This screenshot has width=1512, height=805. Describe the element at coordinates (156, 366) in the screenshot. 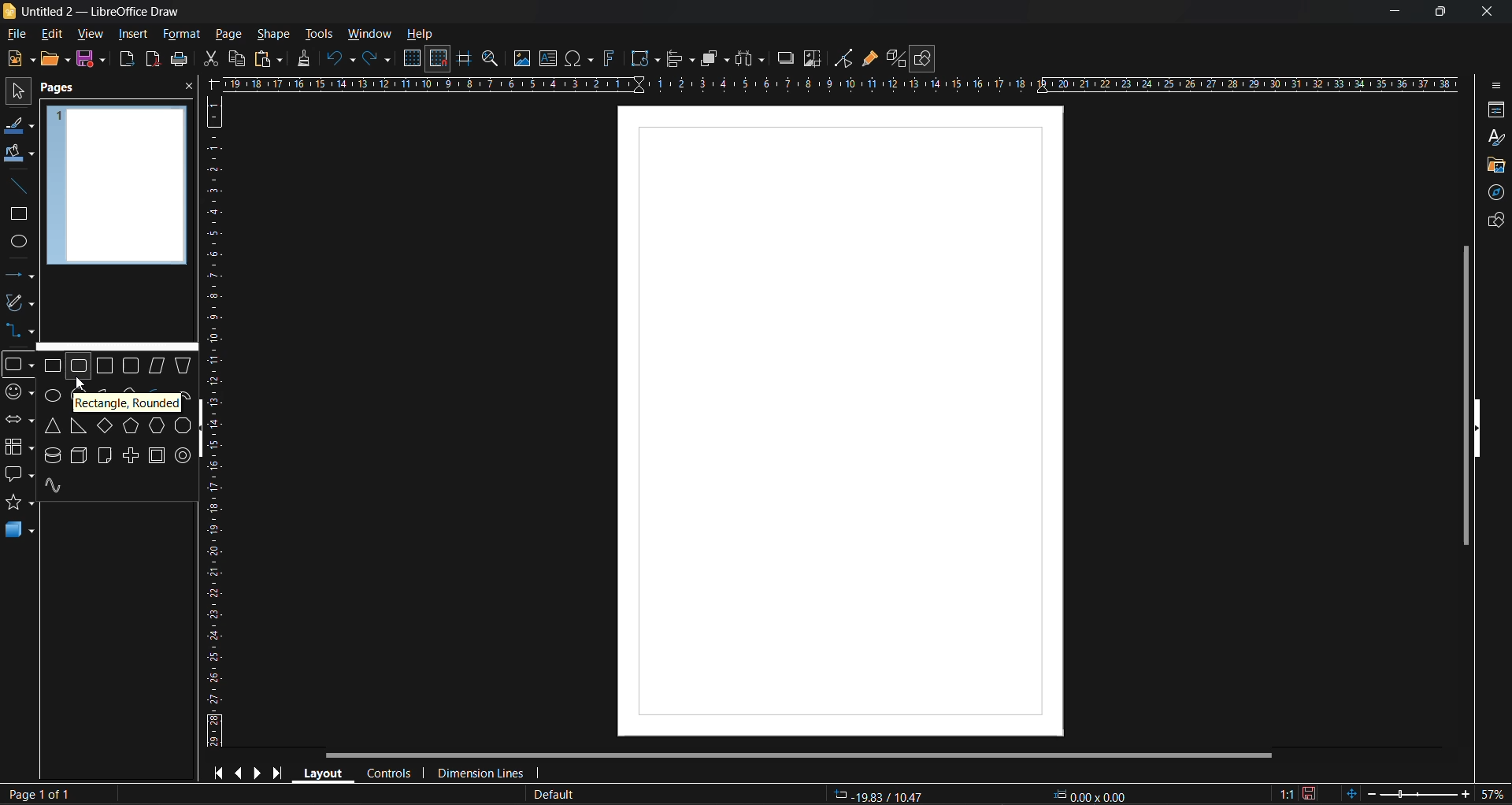

I see `parallelogram` at that location.